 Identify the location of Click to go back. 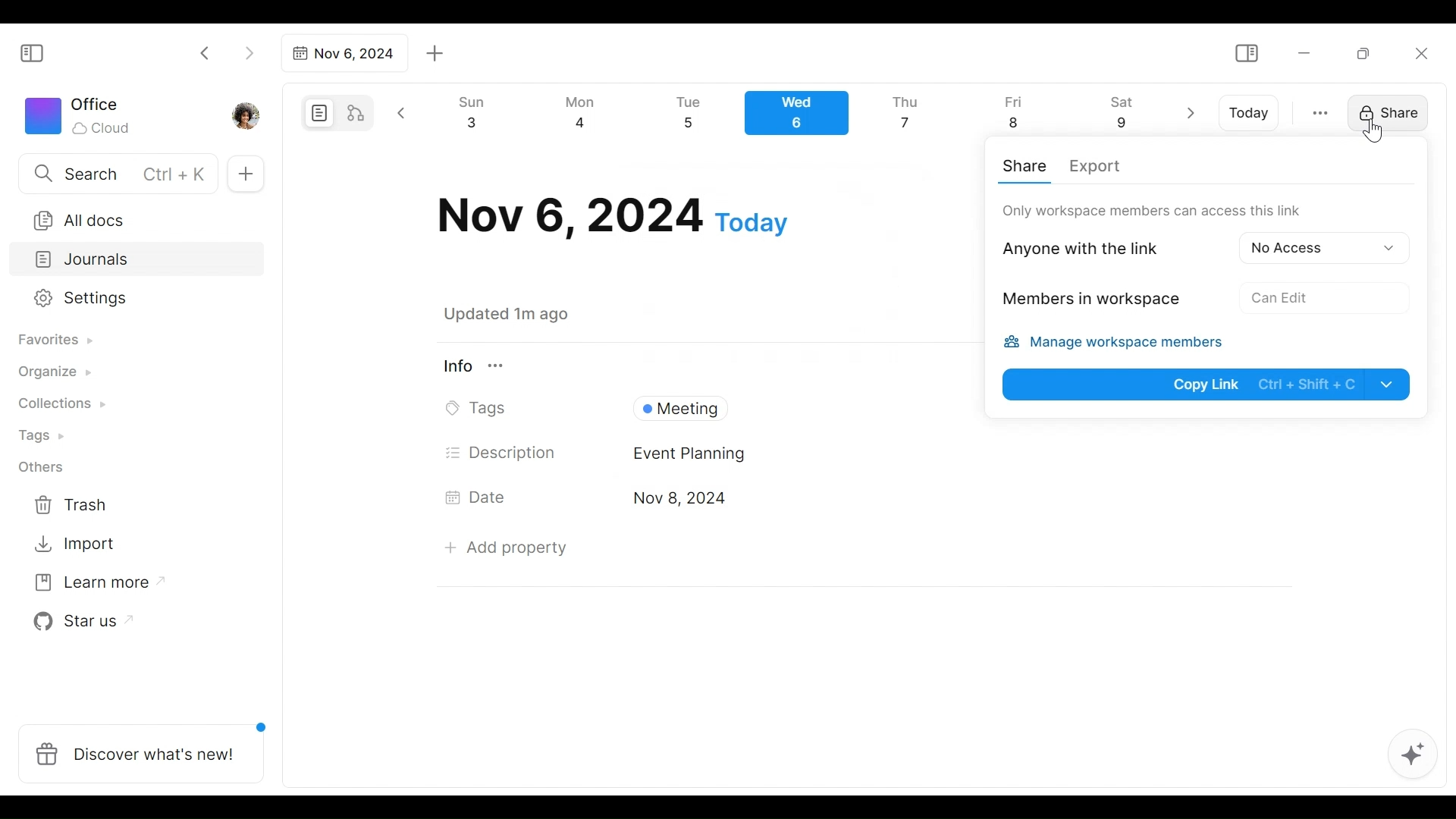
(206, 52).